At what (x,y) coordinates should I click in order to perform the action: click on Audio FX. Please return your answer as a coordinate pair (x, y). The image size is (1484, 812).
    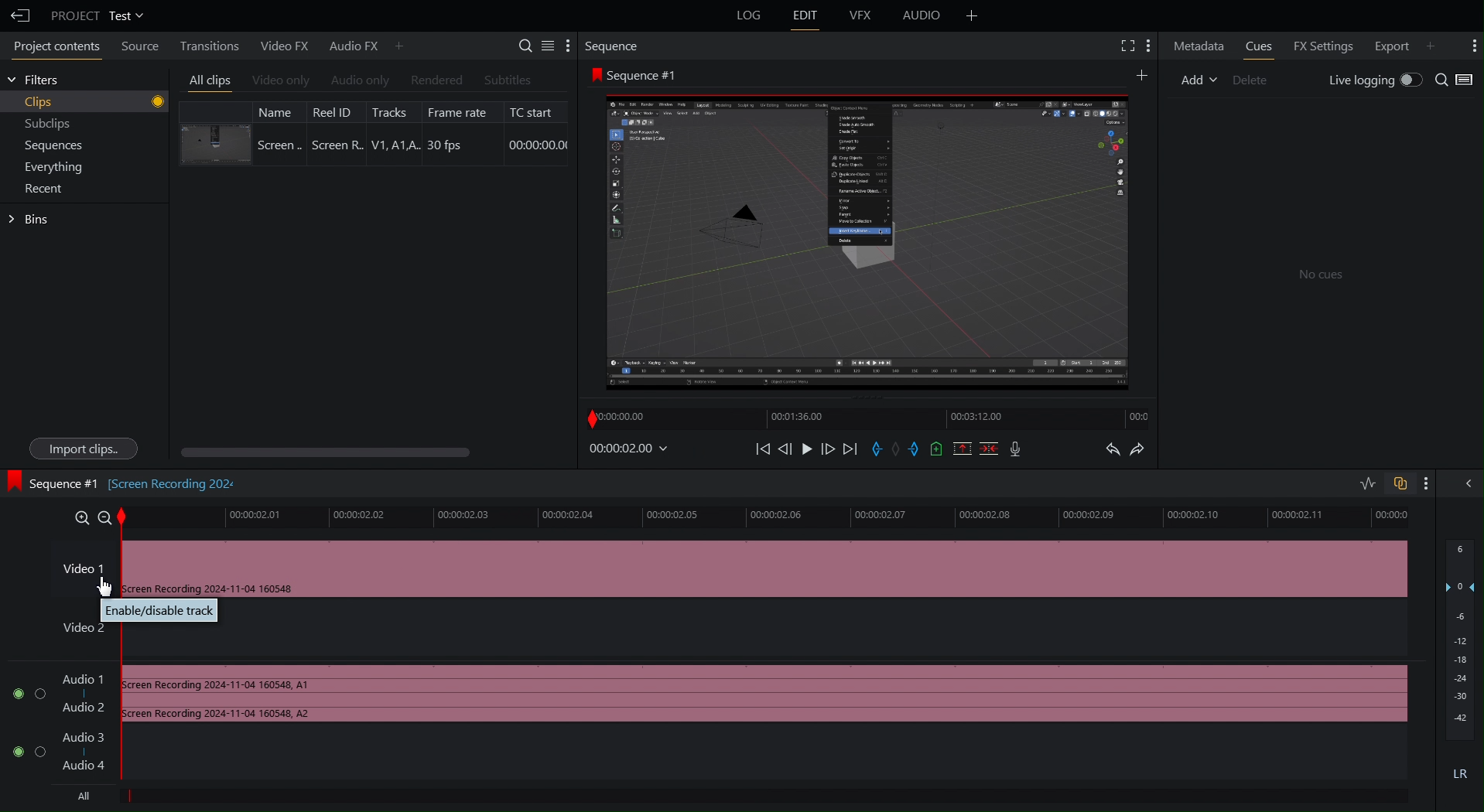
    Looking at the image, I should click on (362, 45).